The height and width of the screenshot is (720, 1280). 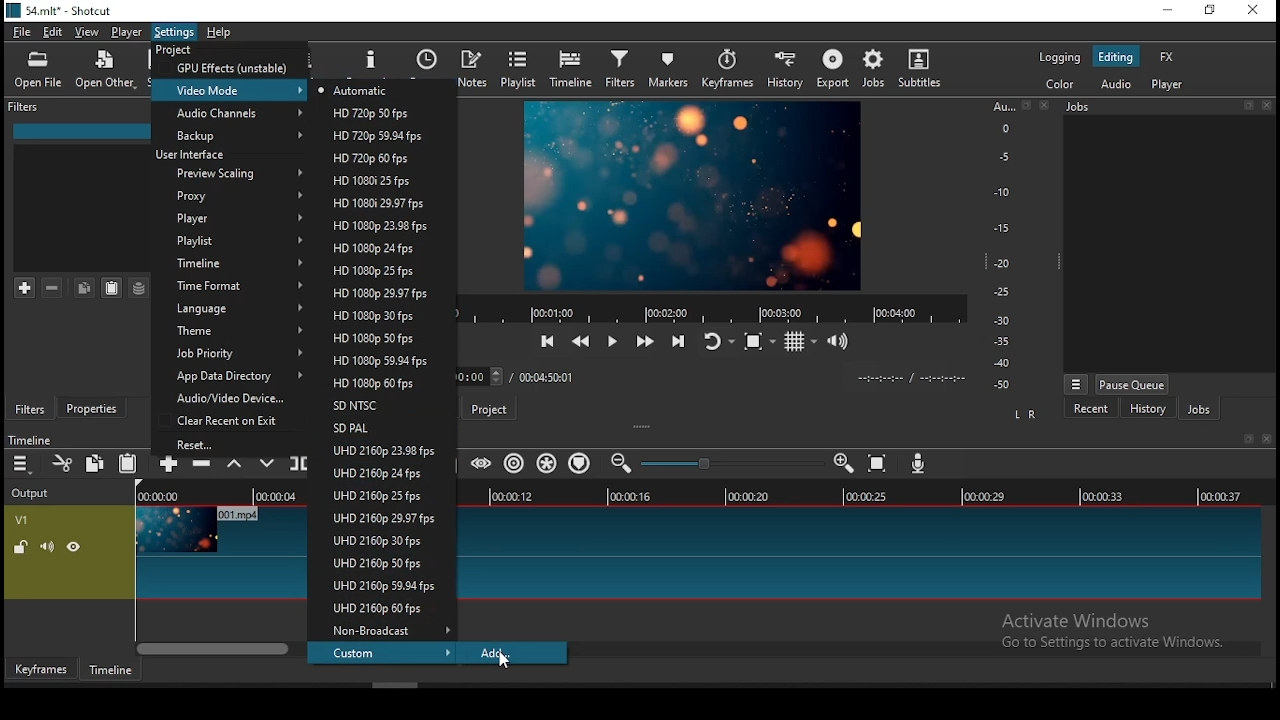 I want to click on timeline, so click(x=225, y=264).